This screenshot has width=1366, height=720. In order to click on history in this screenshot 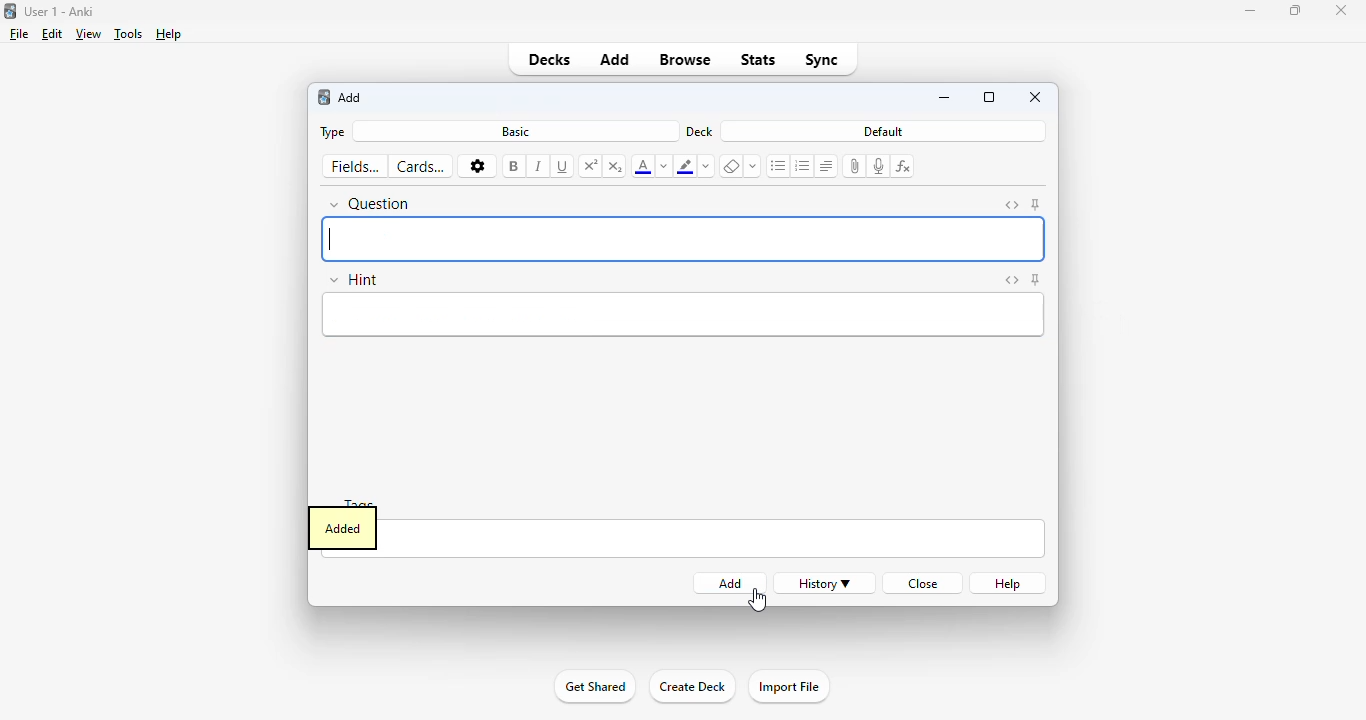, I will do `click(824, 584)`.